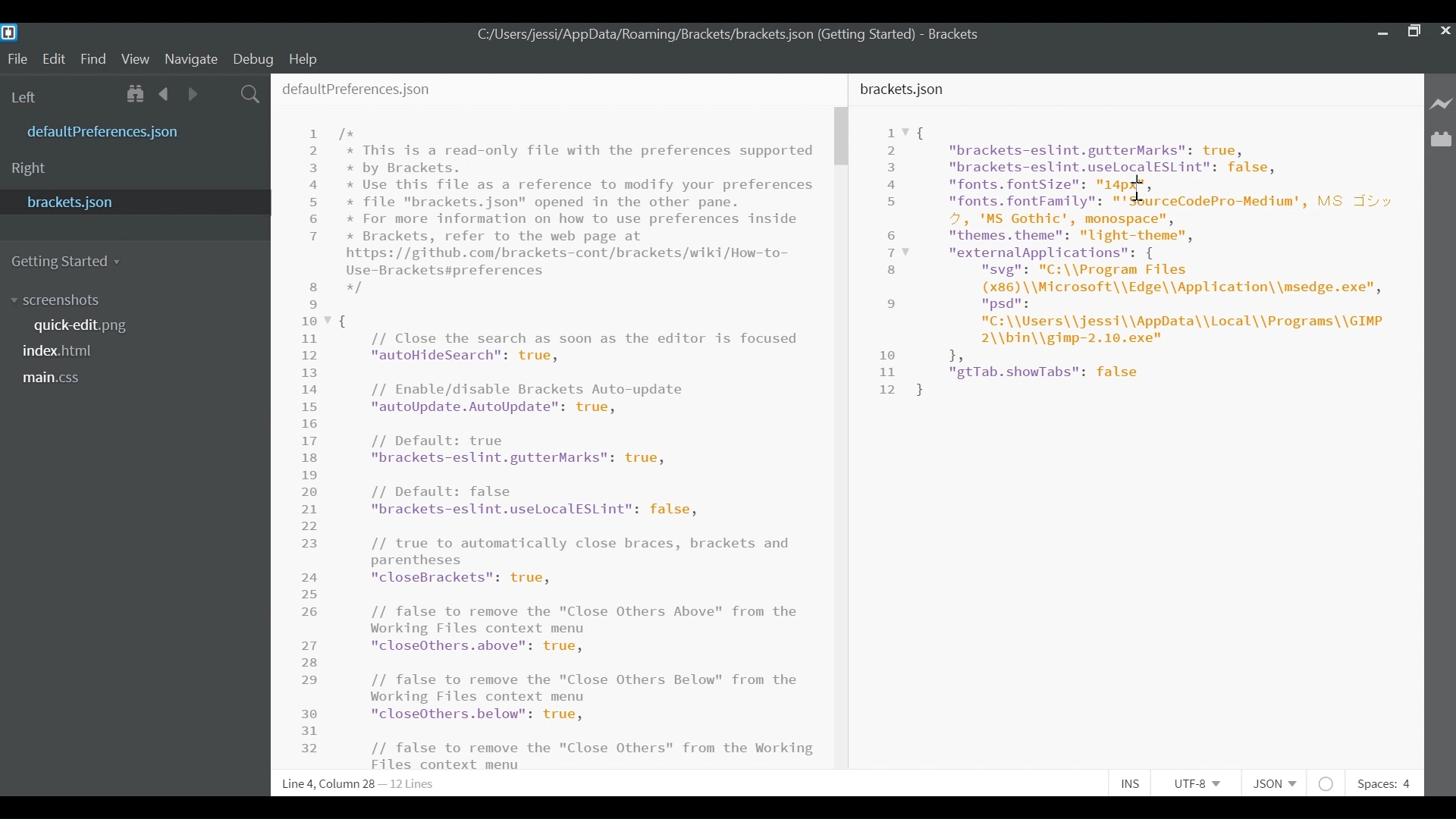 This screenshot has height=819, width=1456. I want to click on Spaces, so click(1382, 784).